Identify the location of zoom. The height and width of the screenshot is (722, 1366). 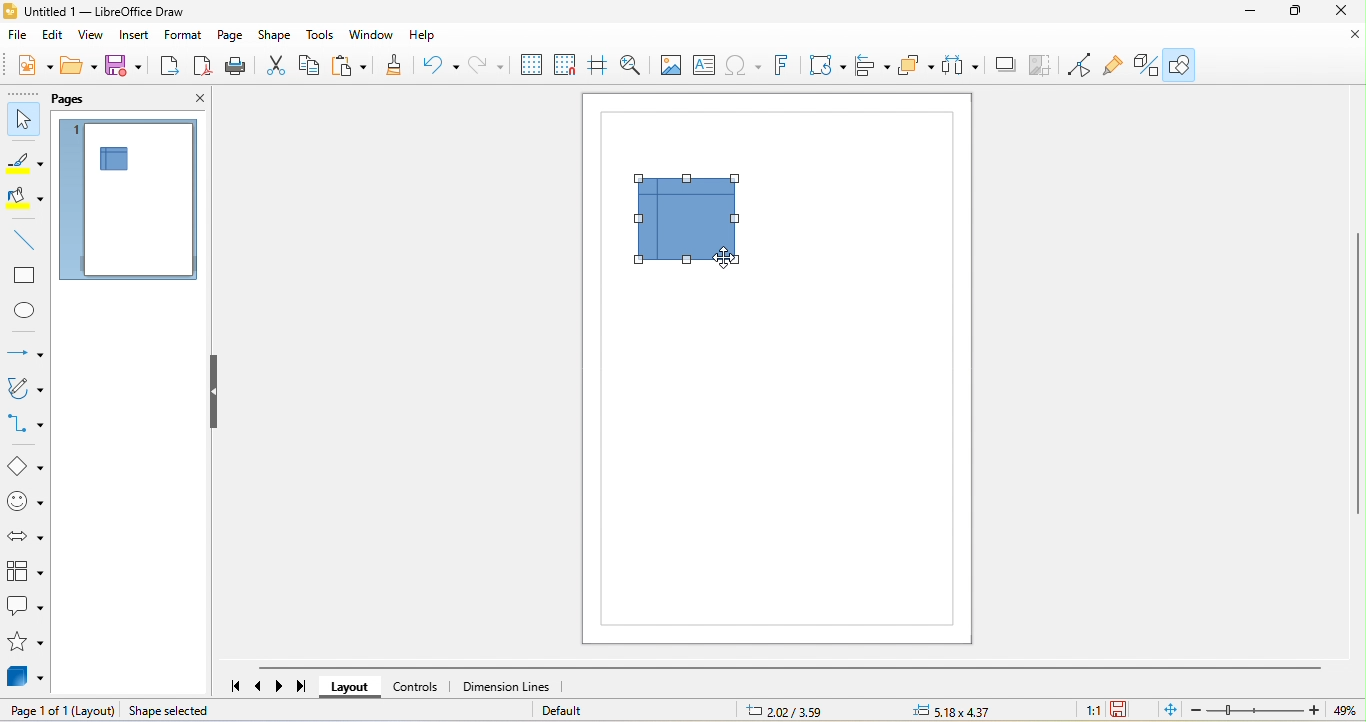
(1255, 711).